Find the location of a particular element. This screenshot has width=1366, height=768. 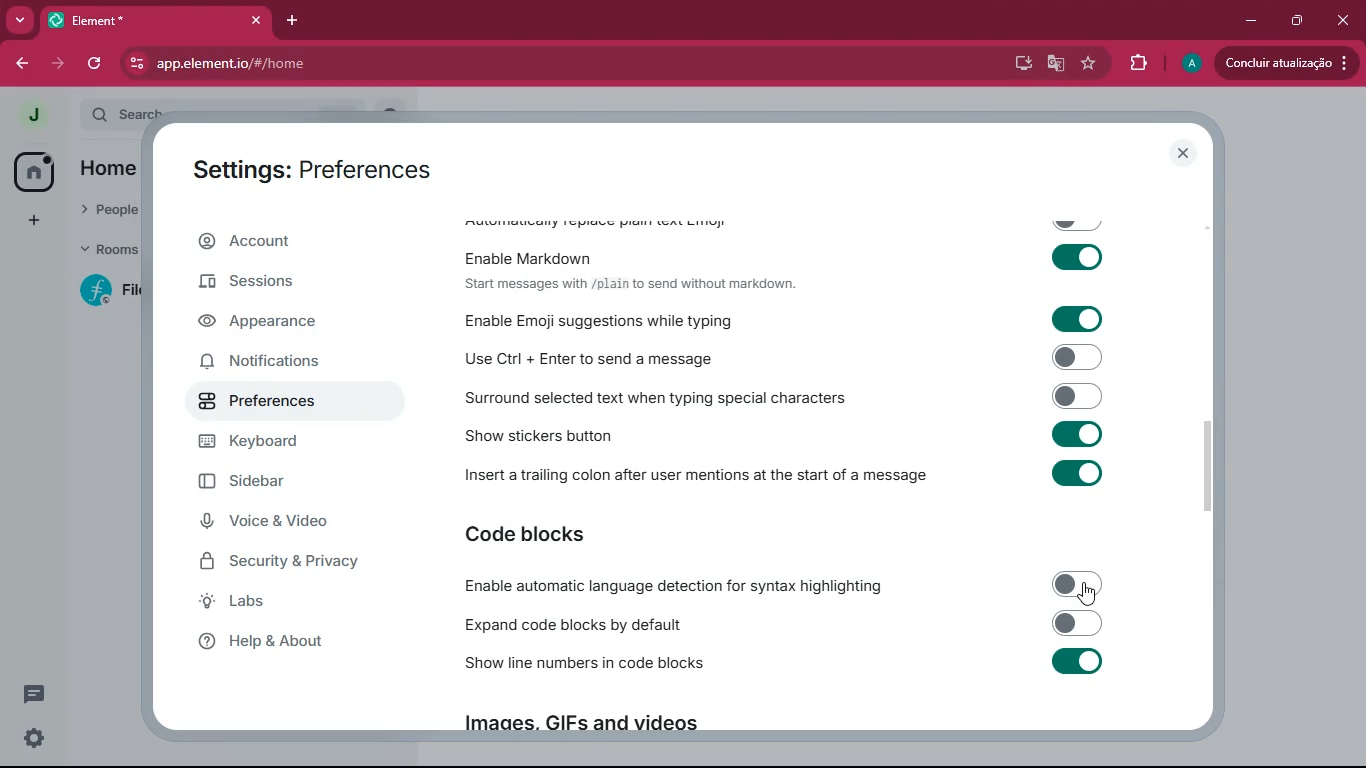

cursor is located at coordinates (1083, 594).